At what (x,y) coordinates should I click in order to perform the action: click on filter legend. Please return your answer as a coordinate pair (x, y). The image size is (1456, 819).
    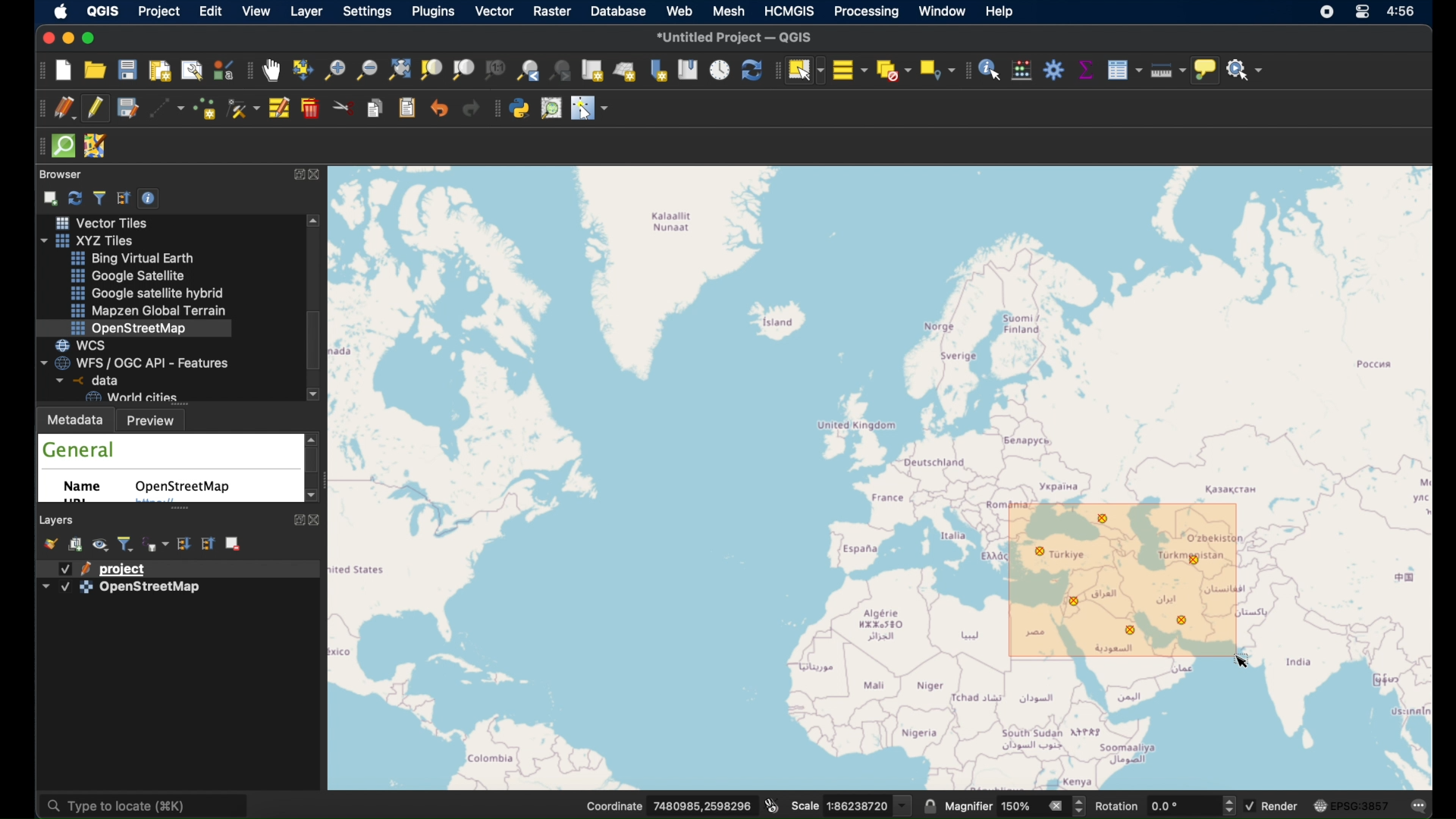
    Looking at the image, I should click on (127, 544).